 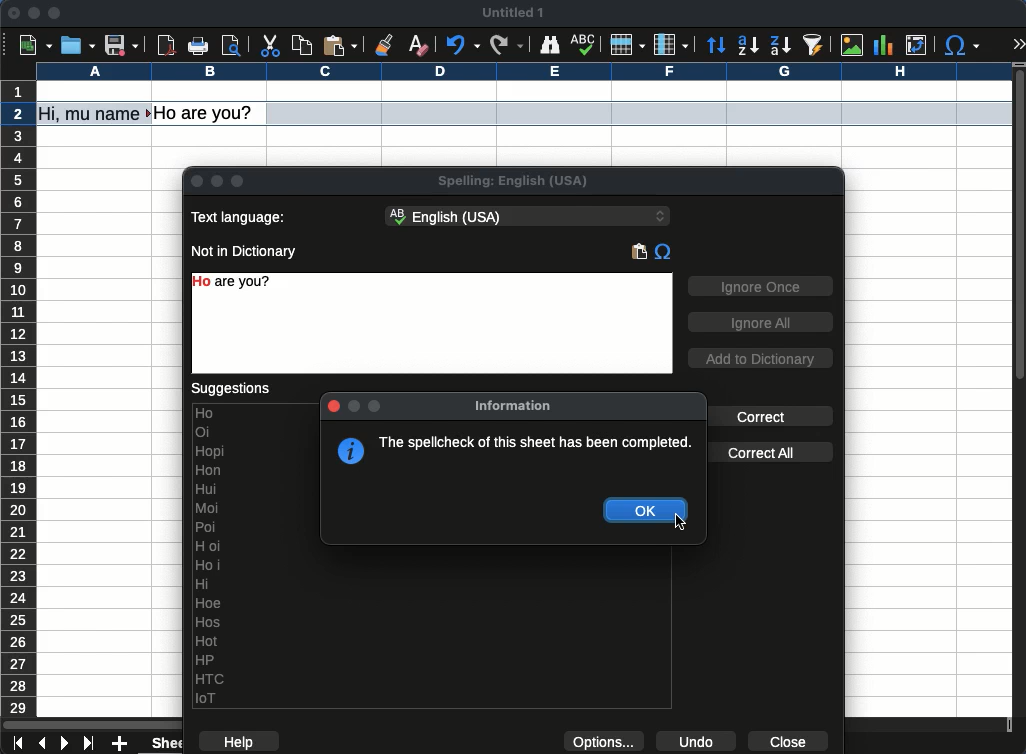 I want to click on Hoi are you?, so click(x=207, y=113).